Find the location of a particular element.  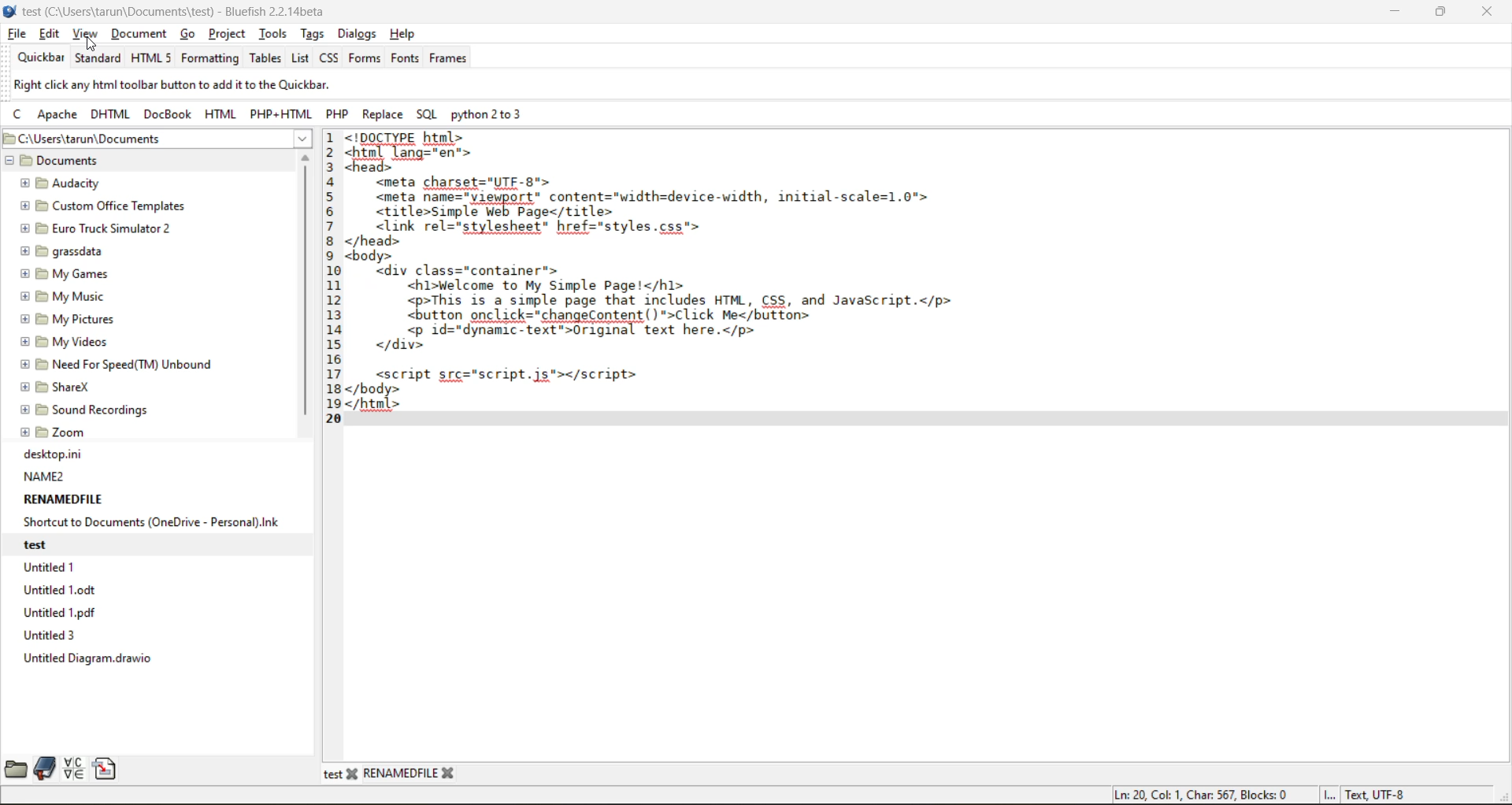

vertical scroll bar is located at coordinates (309, 293).